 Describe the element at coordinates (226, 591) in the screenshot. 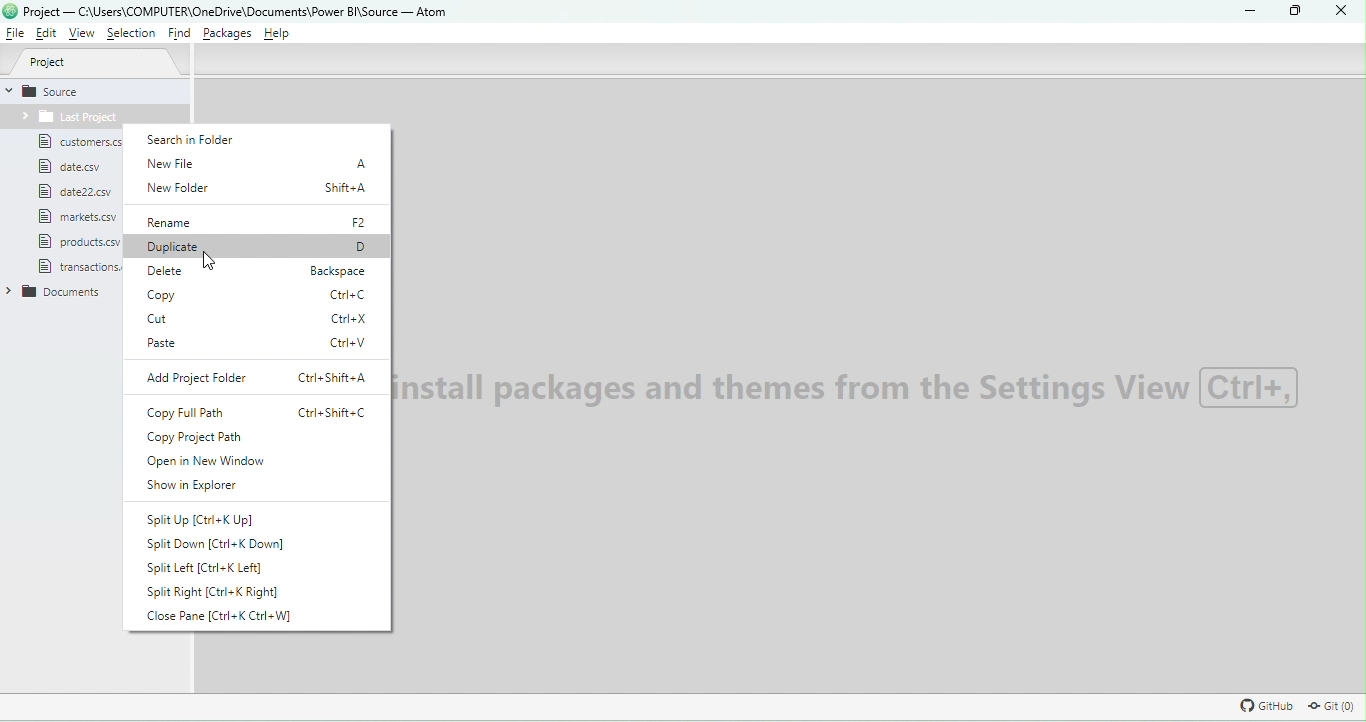

I see `Split right` at that location.